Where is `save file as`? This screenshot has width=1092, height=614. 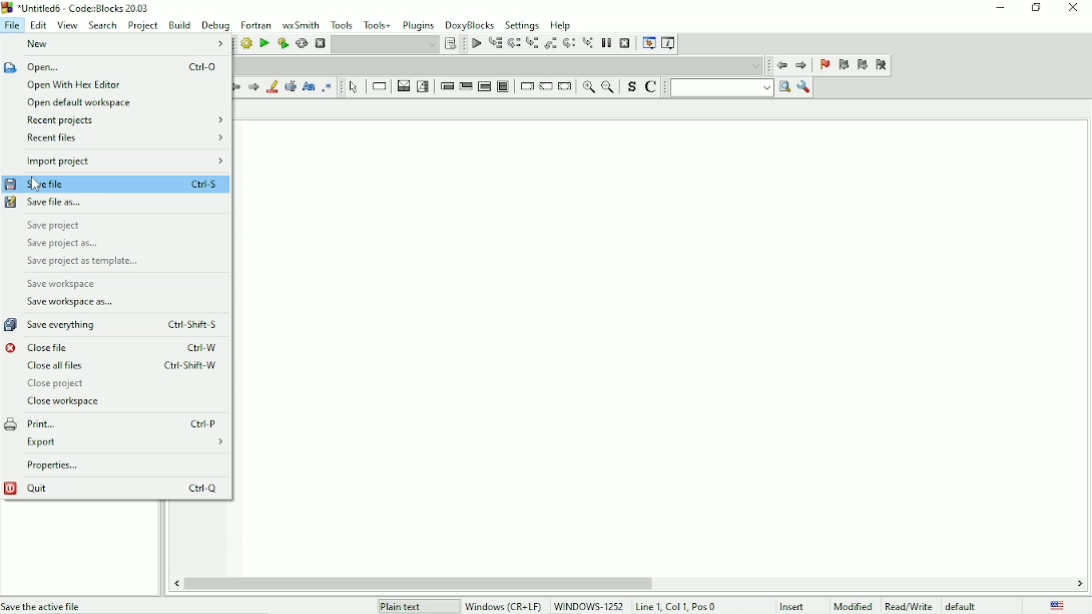 save file as is located at coordinates (46, 202).